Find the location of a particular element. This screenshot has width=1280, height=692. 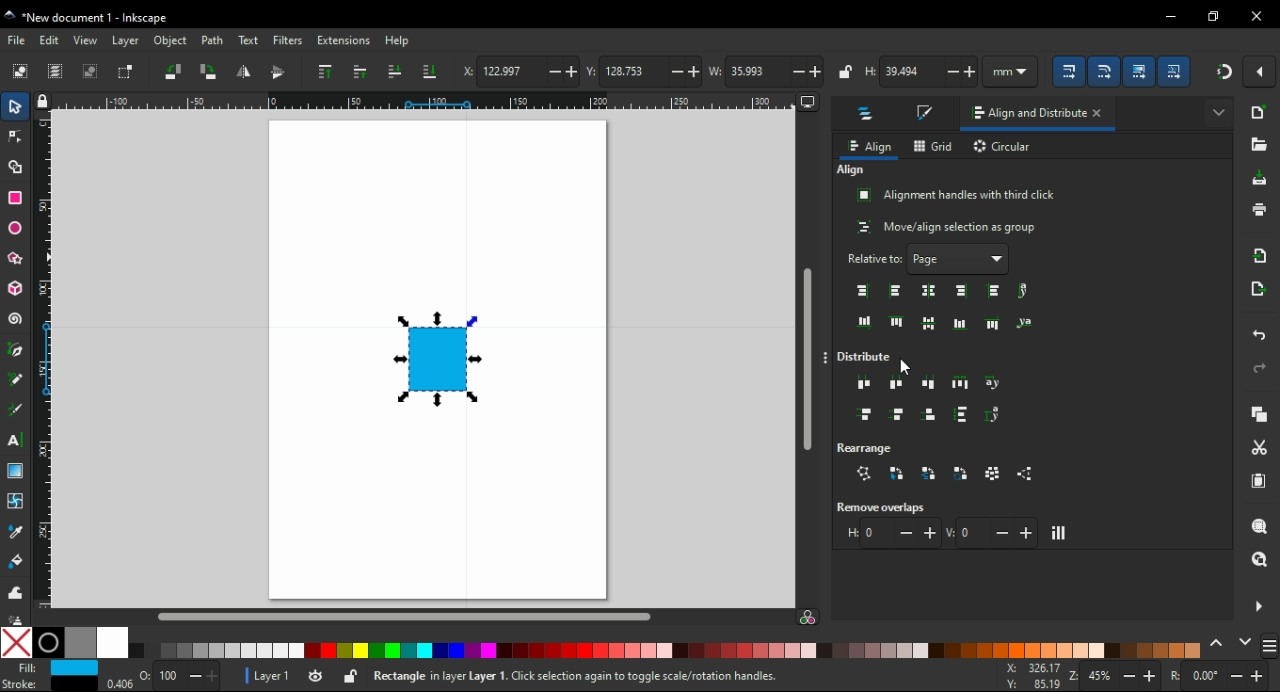

layer is located at coordinates (126, 41).